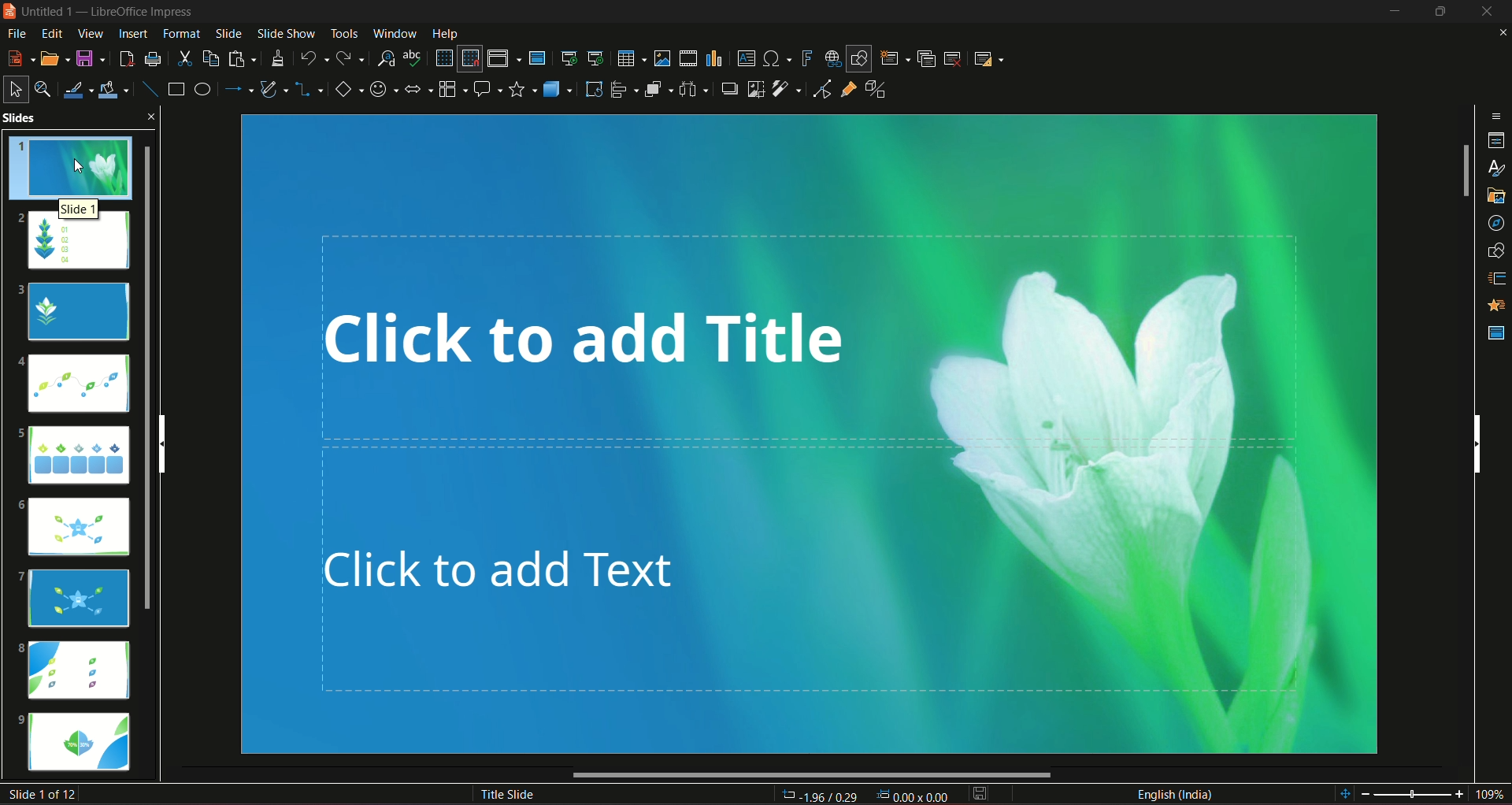 Image resolution: width=1512 pixels, height=805 pixels. What do you see at coordinates (895, 57) in the screenshot?
I see `new slide` at bounding box center [895, 57].